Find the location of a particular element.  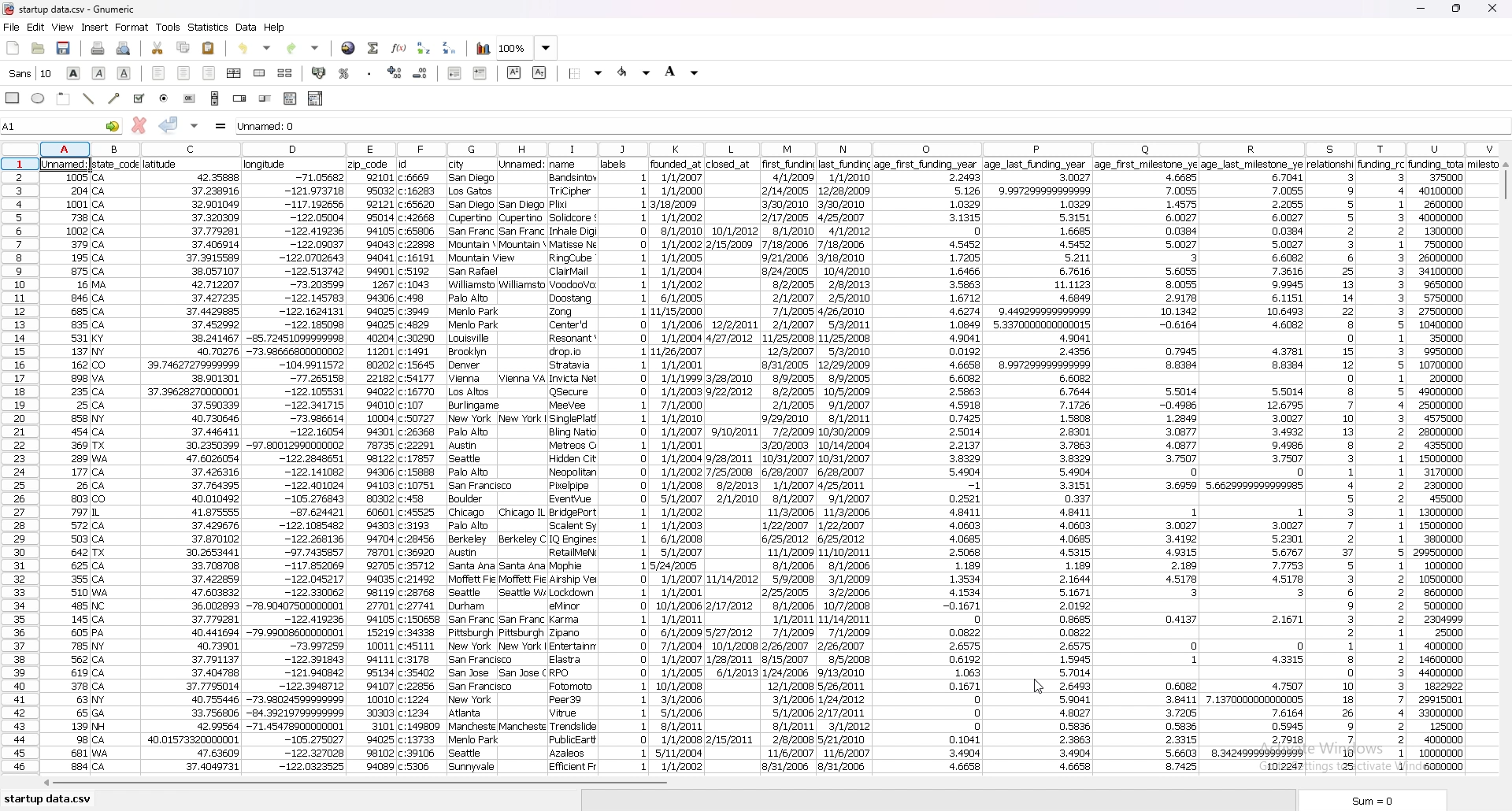

chart is located at coordinates (484, 49).